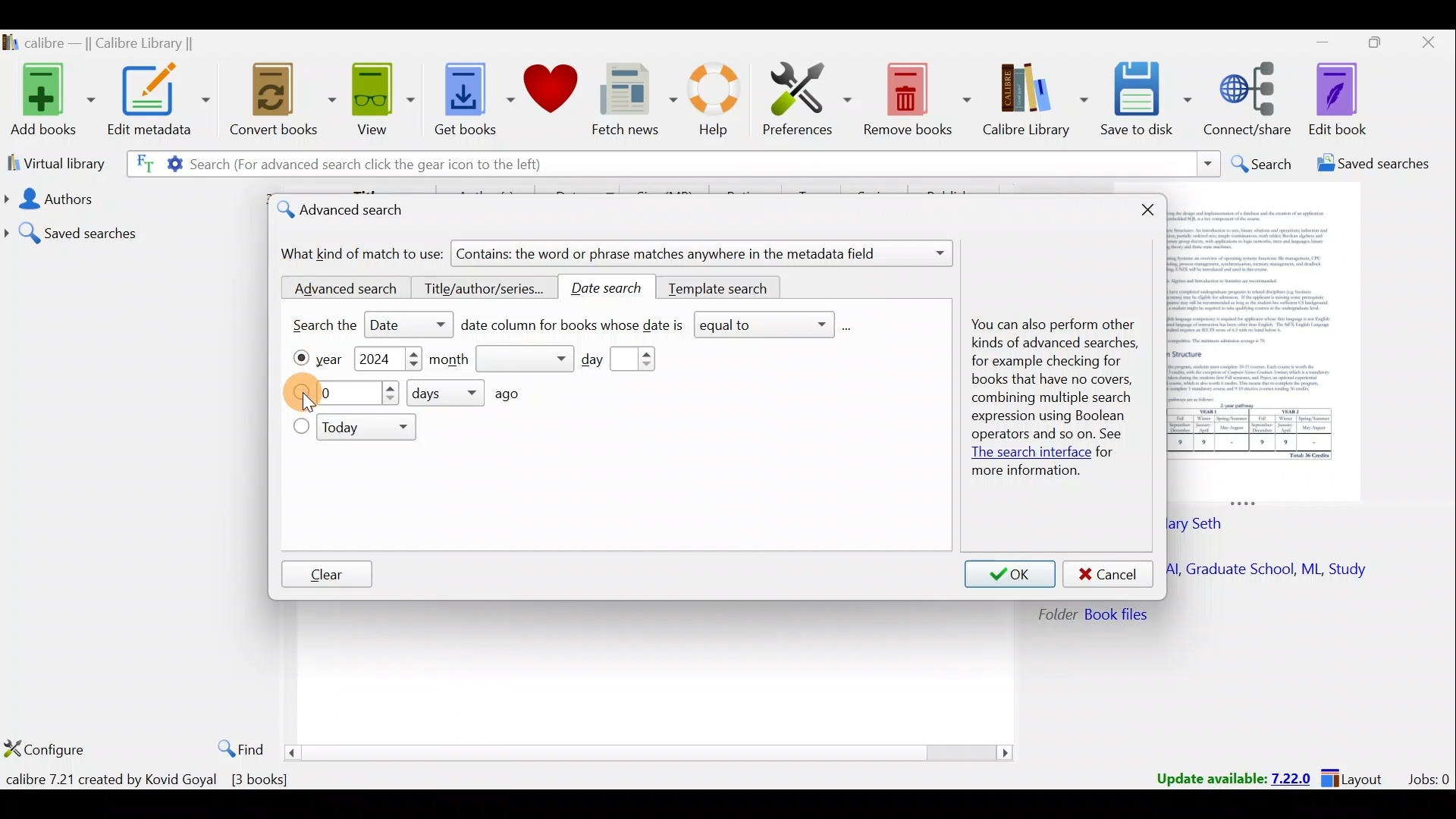 The height and width of the screenshot is (819, 1456). What do you see at coordinates (468, 97) in the screenshot?
I see `Get books` at bounding box center [468, 97].